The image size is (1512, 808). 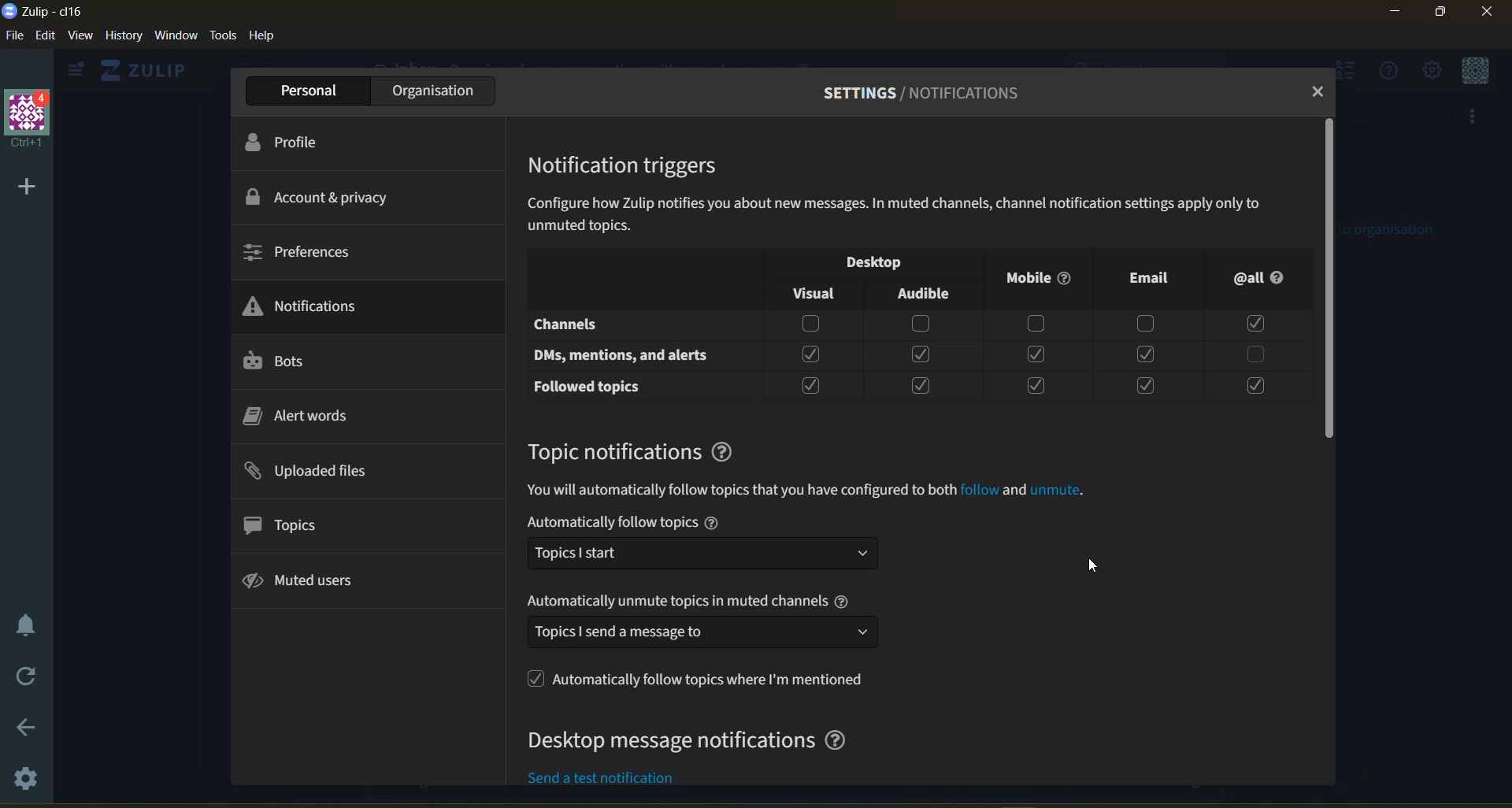 What do you see at coordinates (1148, 278) in the screenshot?
I see `Email` at bounding box center [1148, 278].